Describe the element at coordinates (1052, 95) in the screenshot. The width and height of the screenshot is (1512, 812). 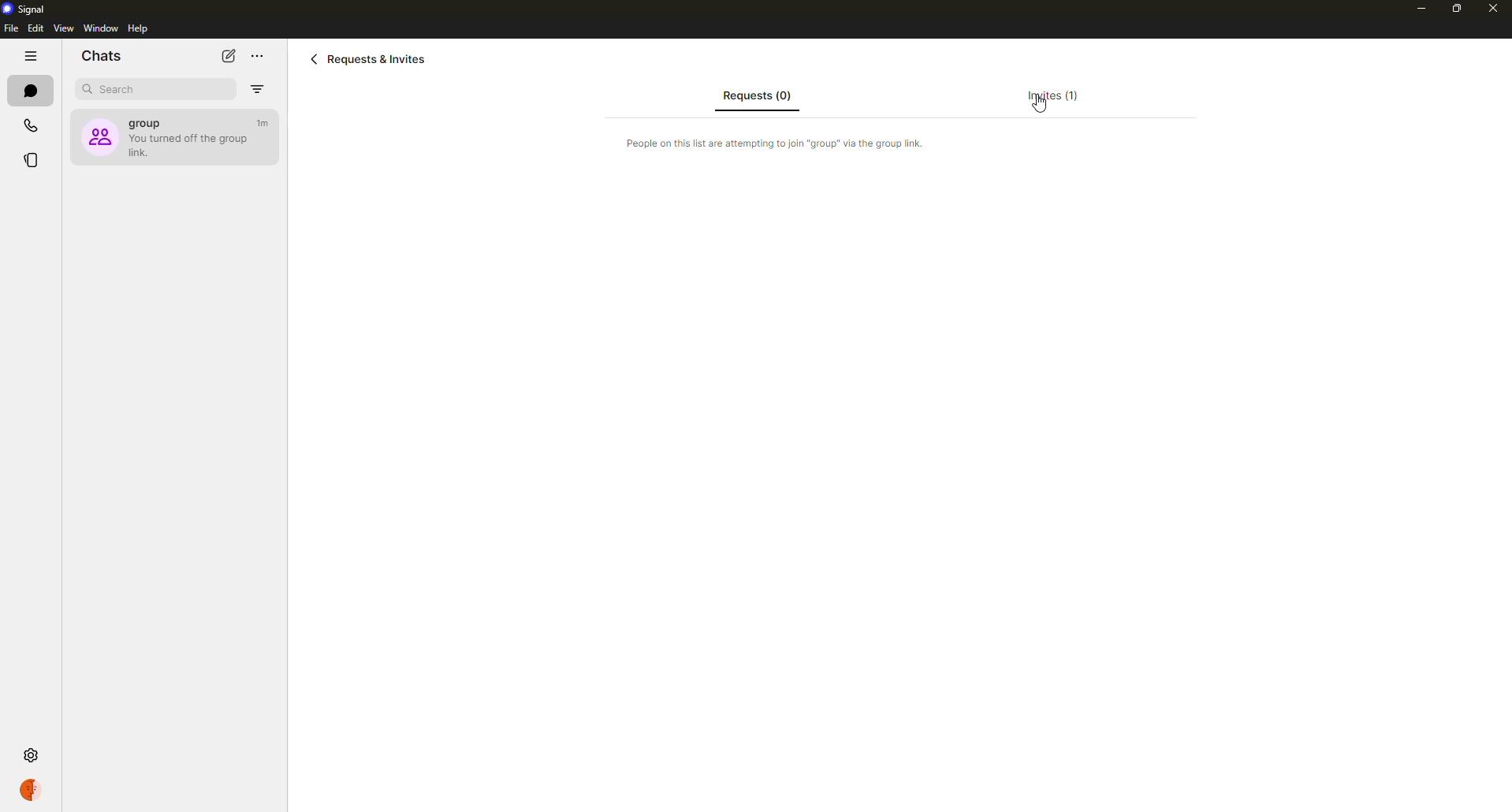
I see `invites` at that location.